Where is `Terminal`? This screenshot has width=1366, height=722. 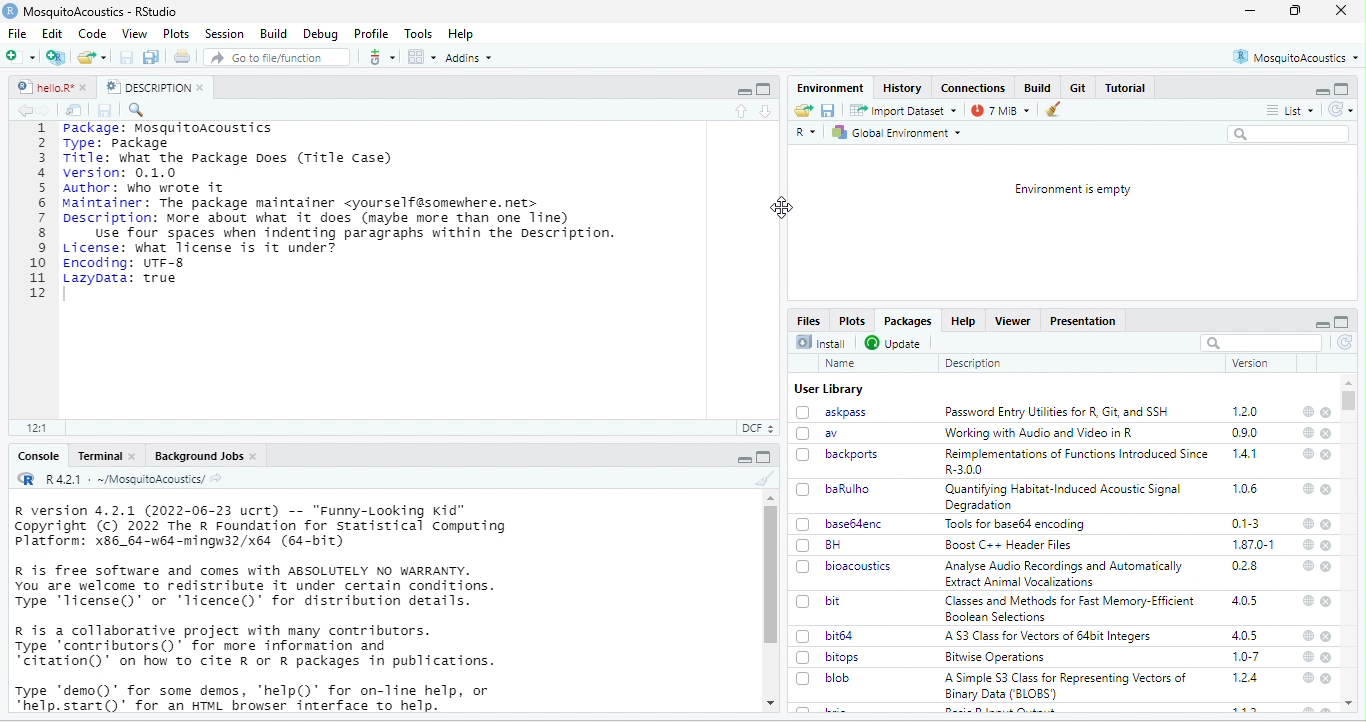 Terminal is located at coordinates (105, 455).